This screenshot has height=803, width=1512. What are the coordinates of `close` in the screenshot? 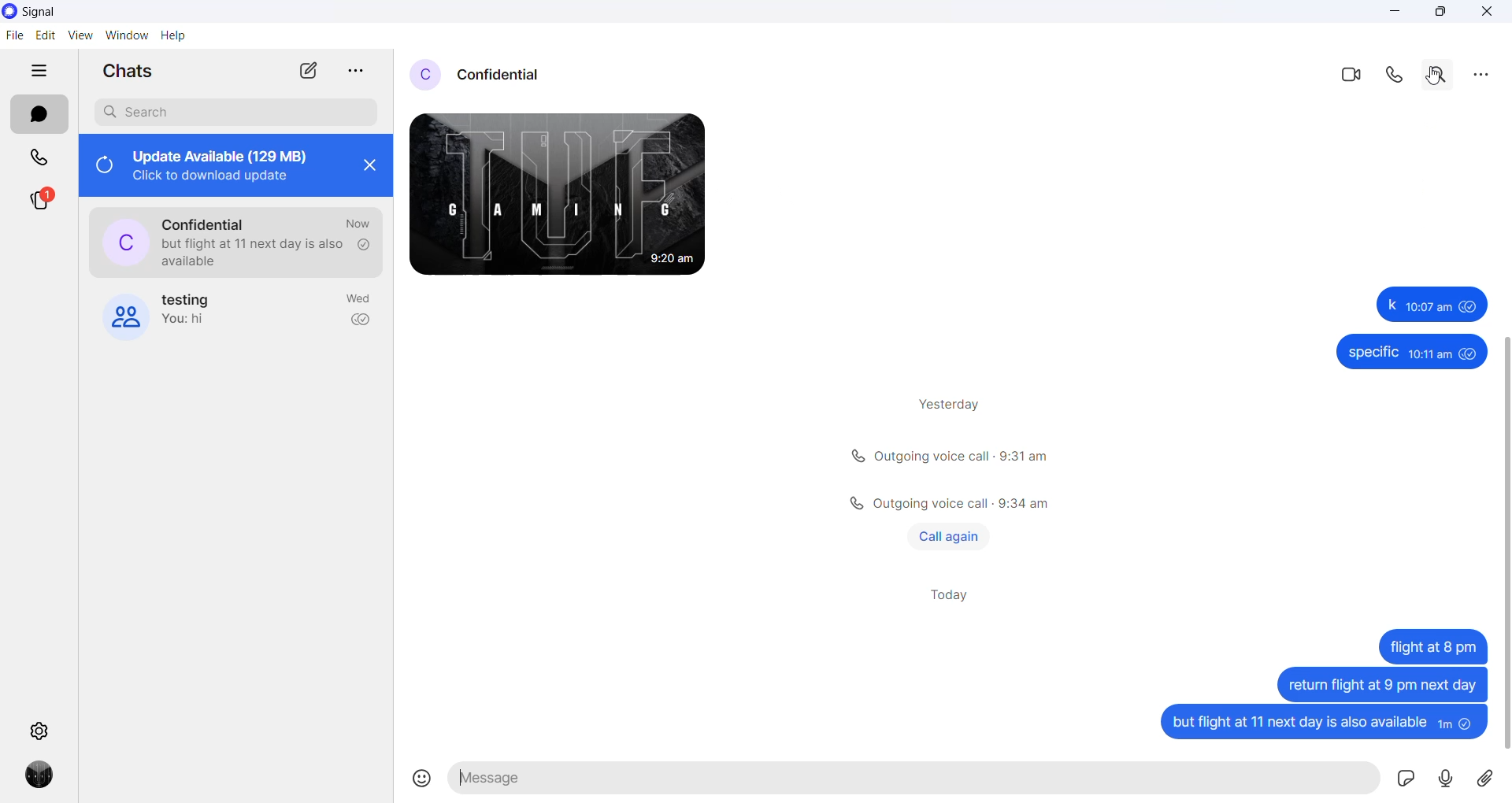 It's located at (1488, 13).